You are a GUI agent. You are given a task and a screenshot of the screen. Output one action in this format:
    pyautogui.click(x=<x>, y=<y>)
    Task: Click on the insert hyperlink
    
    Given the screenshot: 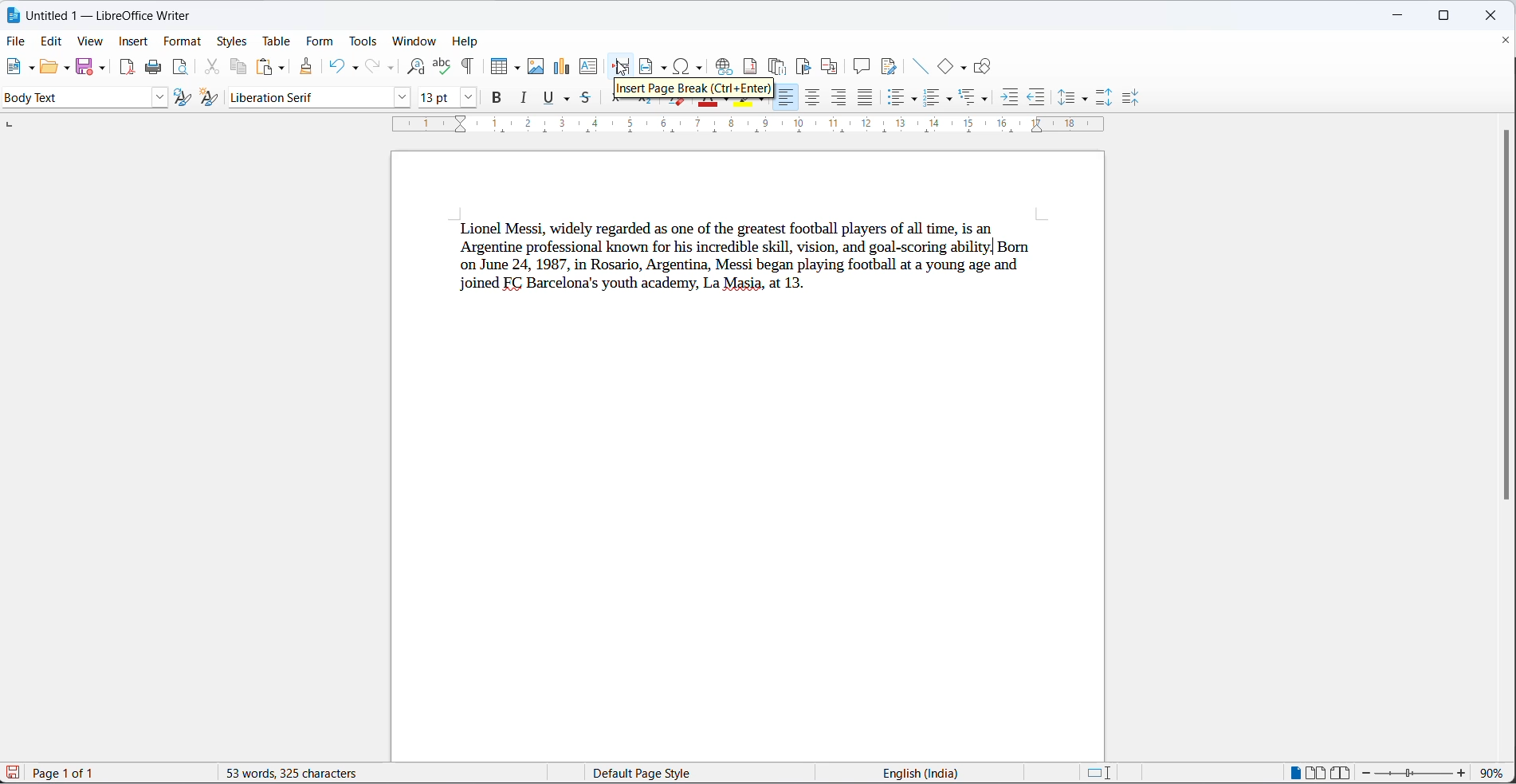 What is the action you would take?
    pyautogui.click(x=722, y=67)
    